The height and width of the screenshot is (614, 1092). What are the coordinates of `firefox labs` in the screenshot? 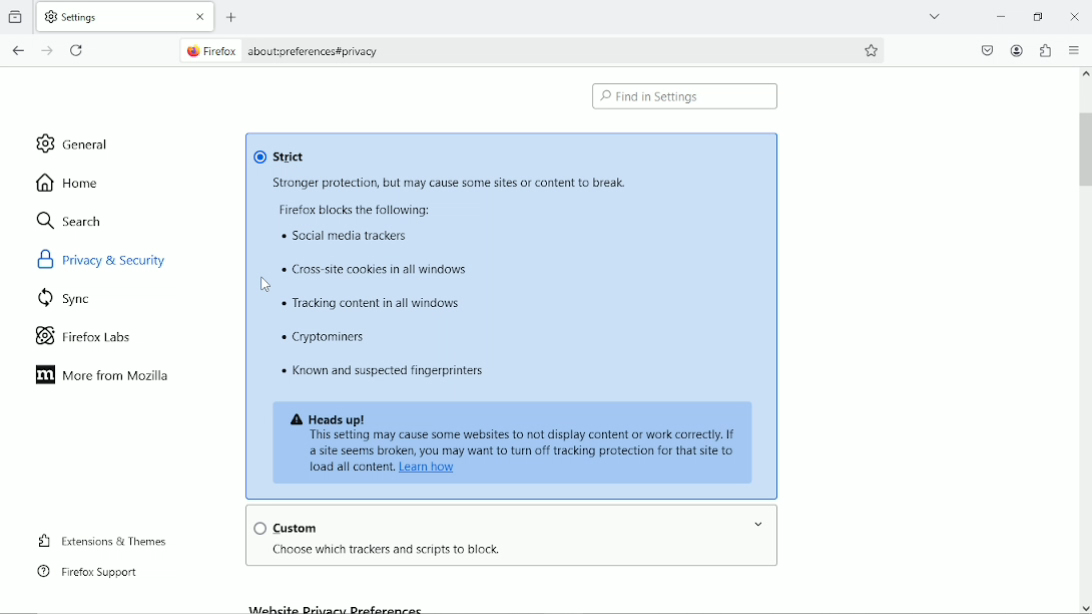 It's located at (81, 337).